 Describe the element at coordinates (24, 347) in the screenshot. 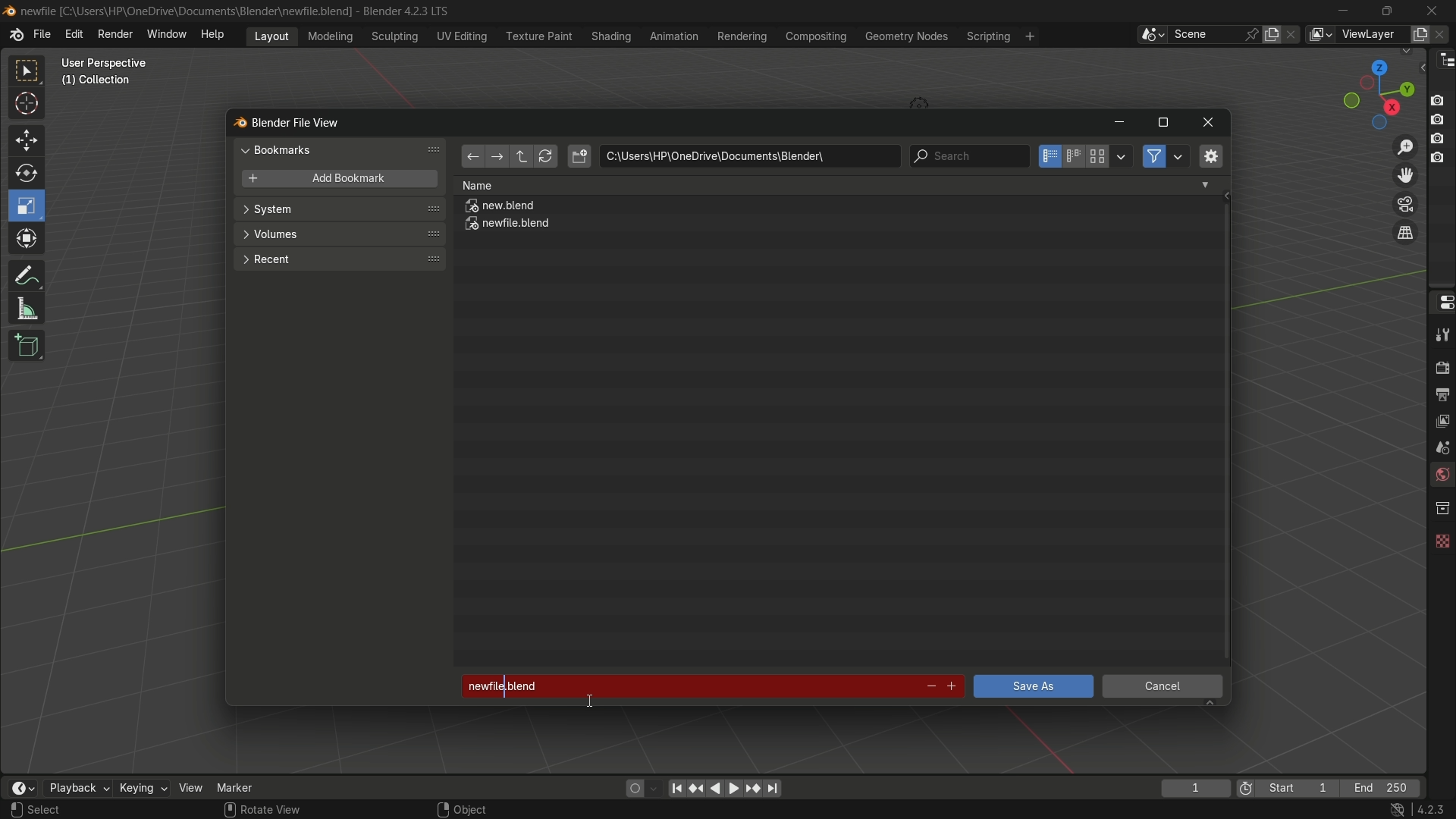

I see `add cube` at that location.